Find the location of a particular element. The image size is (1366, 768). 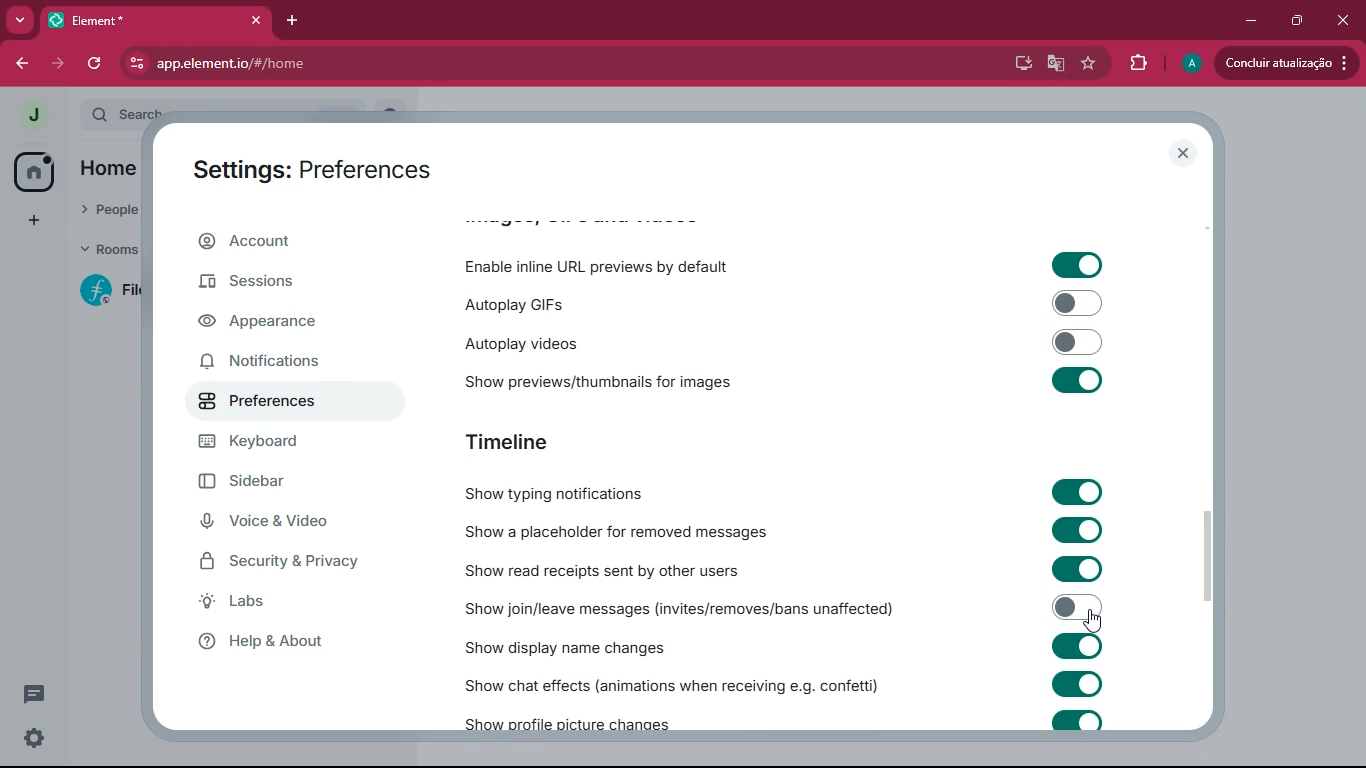

close tab is located at coordinates (256, 21).